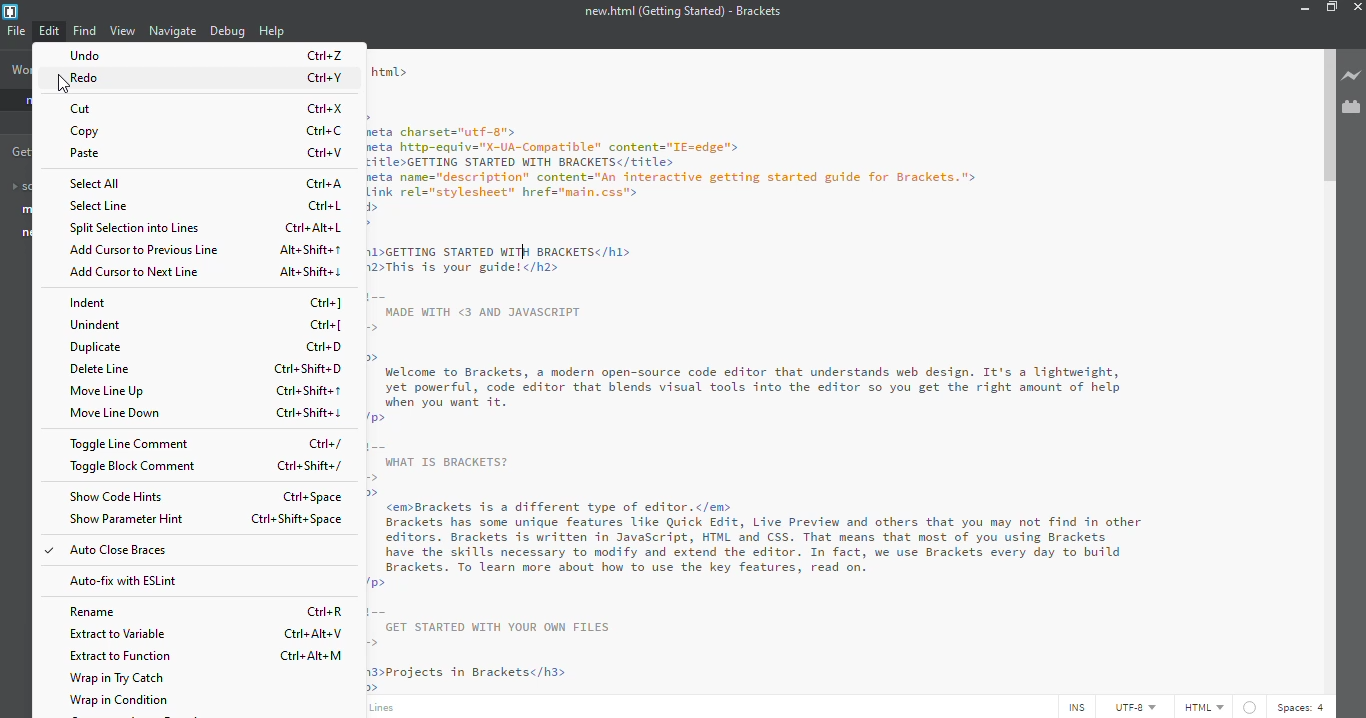 The height and width of the screenshot is (718, 1366). What do you see at coordinates (1331, 6) in the screenshot?
I see `maximize` at bounding box center [1331, 6].